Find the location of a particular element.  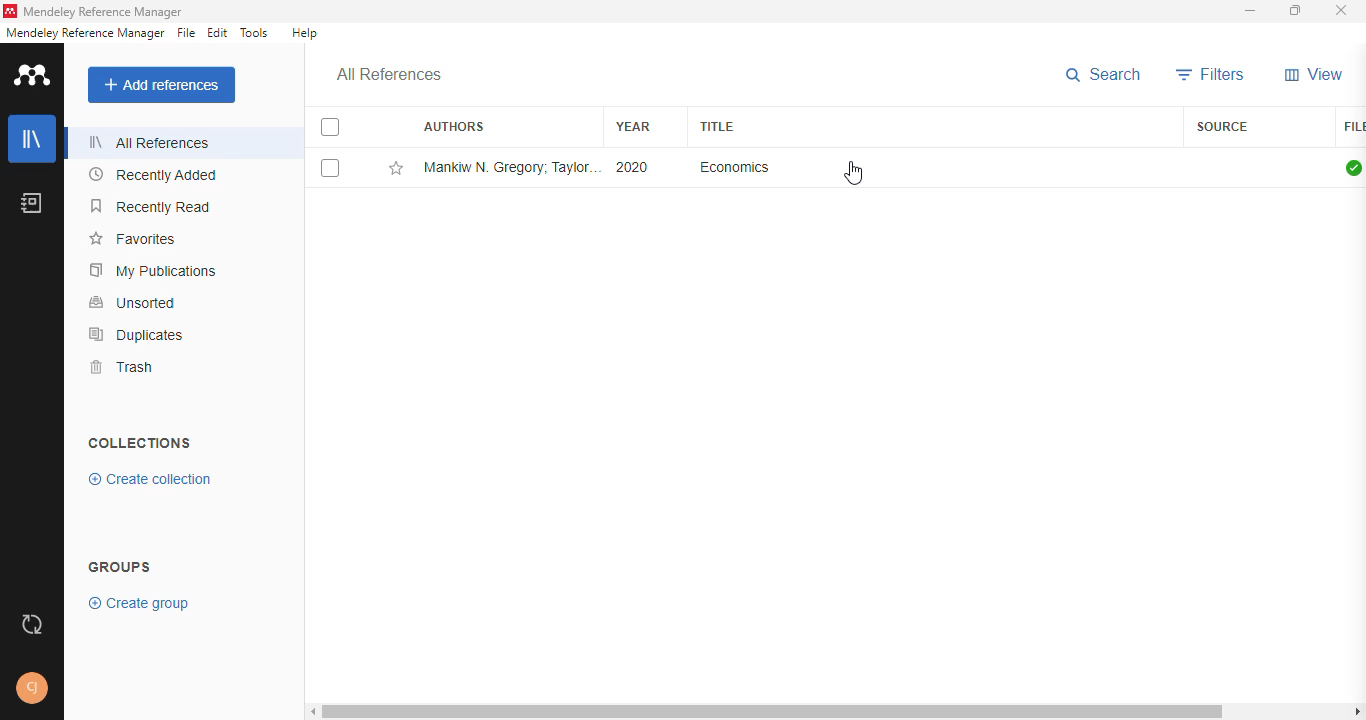

library is located at coordinates (31, 138).